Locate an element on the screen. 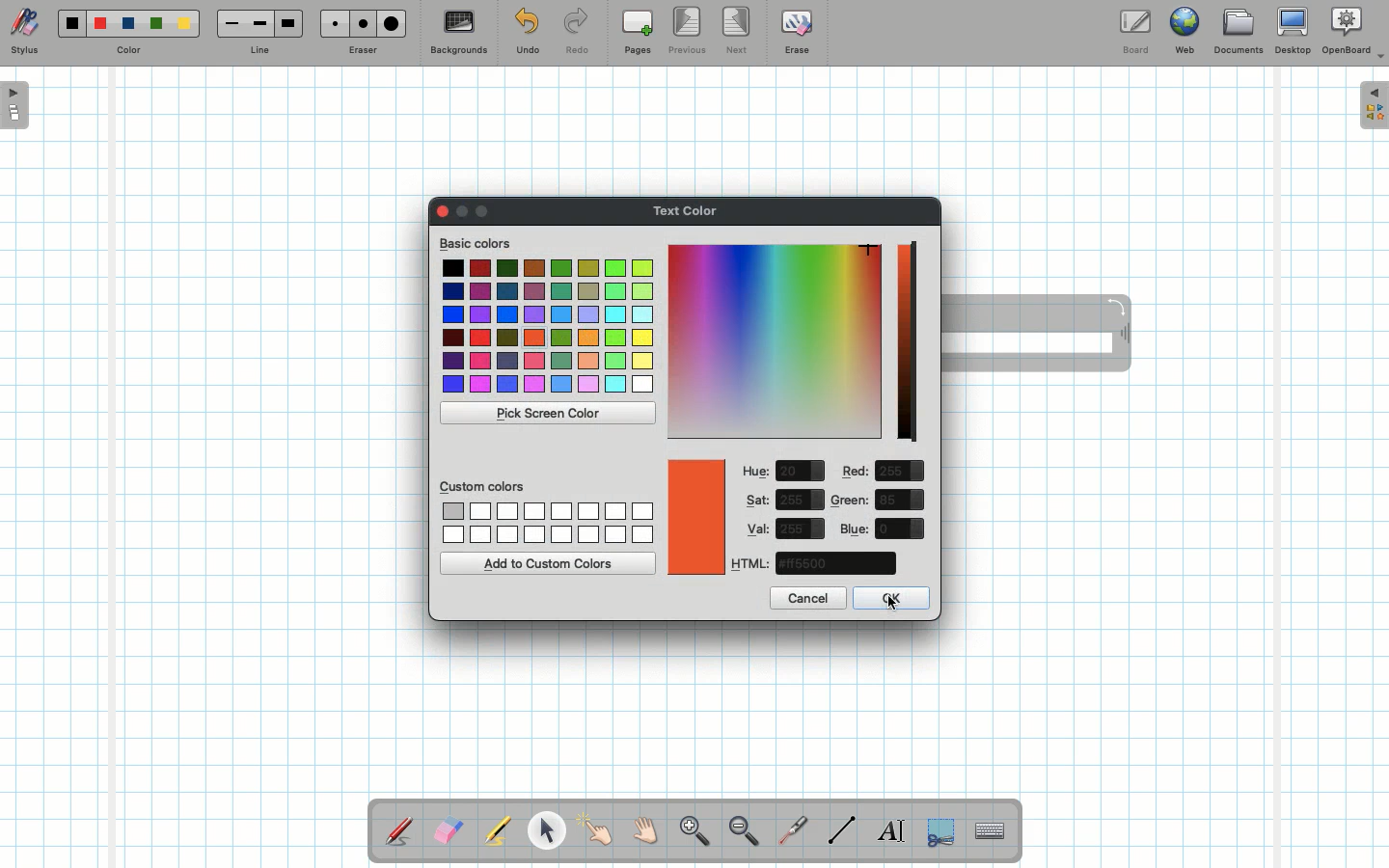 The width and height of the screenshot is (1389, 868). OK is located at coordinates (888, 598).